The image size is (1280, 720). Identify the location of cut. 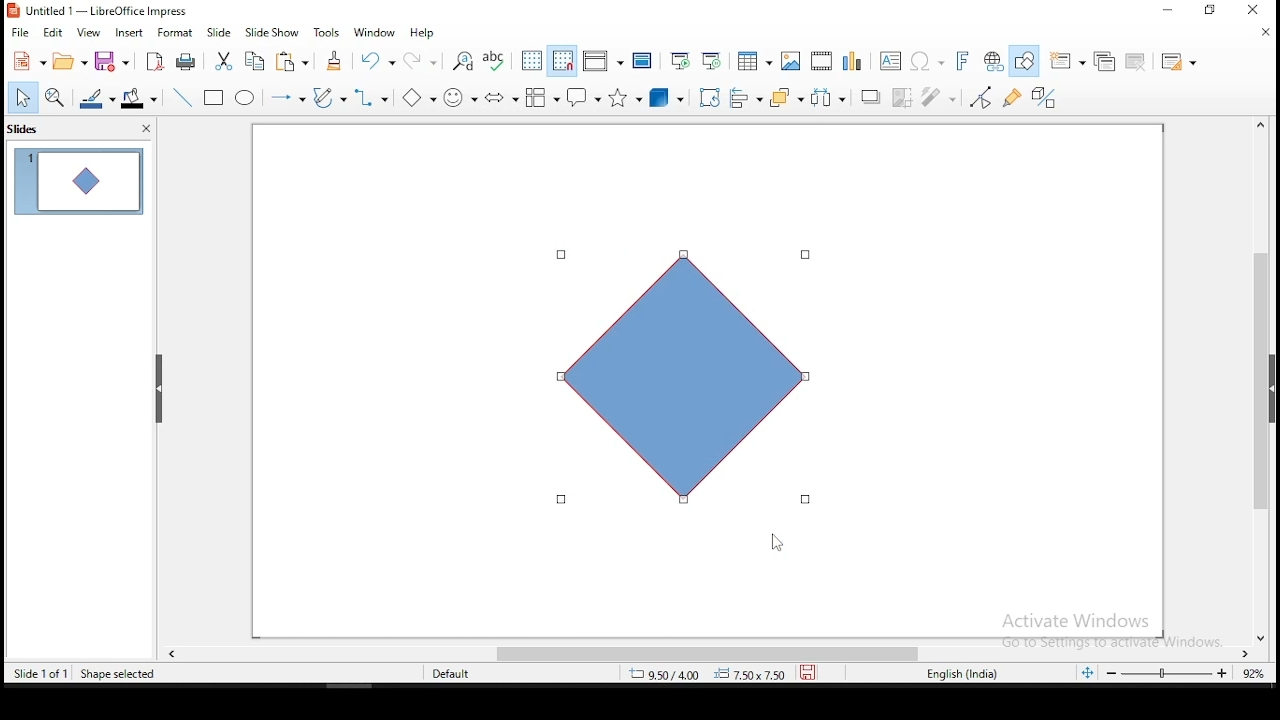
(224, 63).